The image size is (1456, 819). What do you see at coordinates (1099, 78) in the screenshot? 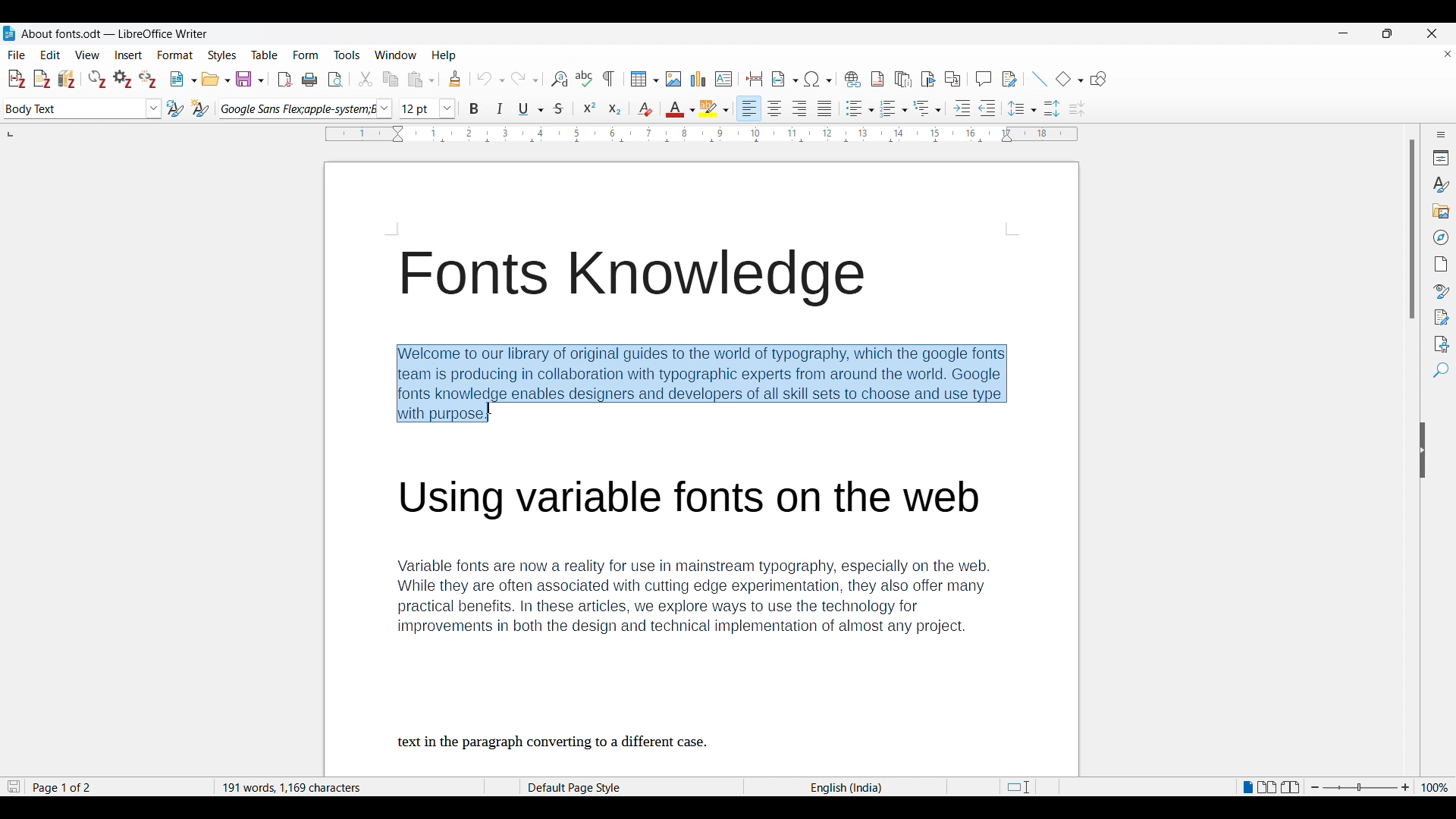
I see `Show draw functions` at bounding box center [1099, 78].